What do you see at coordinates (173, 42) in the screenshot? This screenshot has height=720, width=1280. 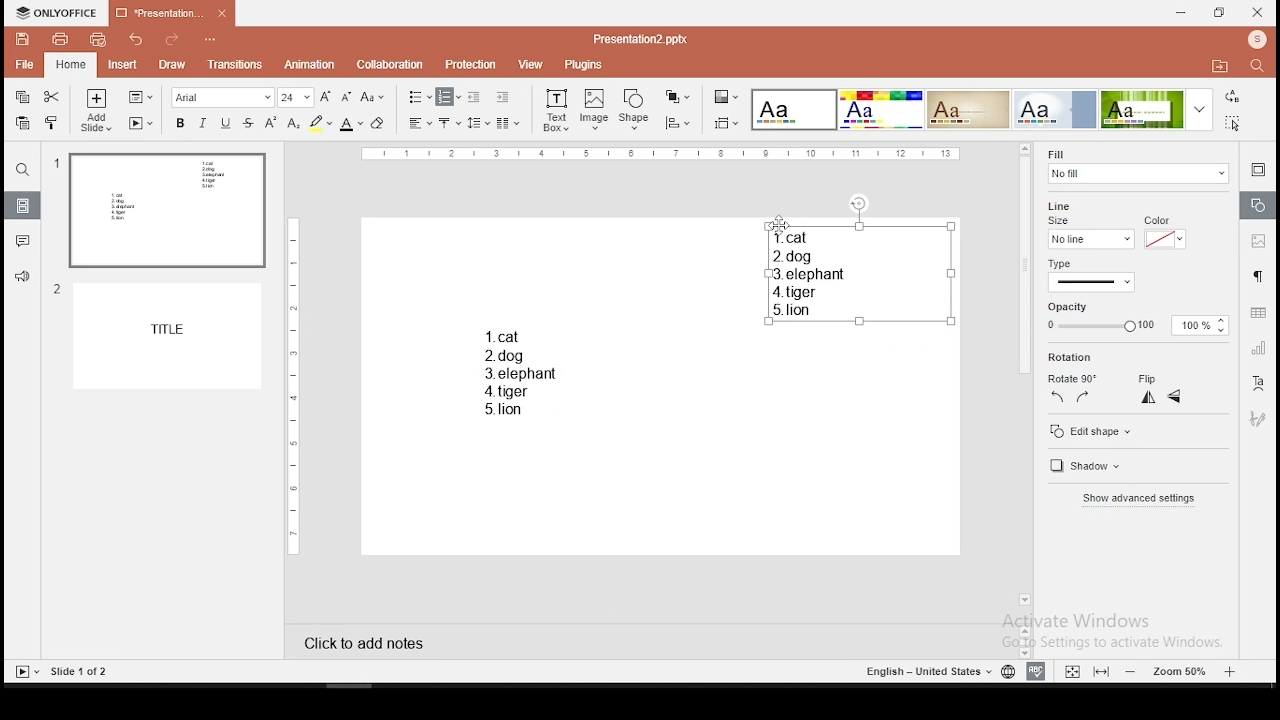 I see `redo` at bounding box center [173, 42].